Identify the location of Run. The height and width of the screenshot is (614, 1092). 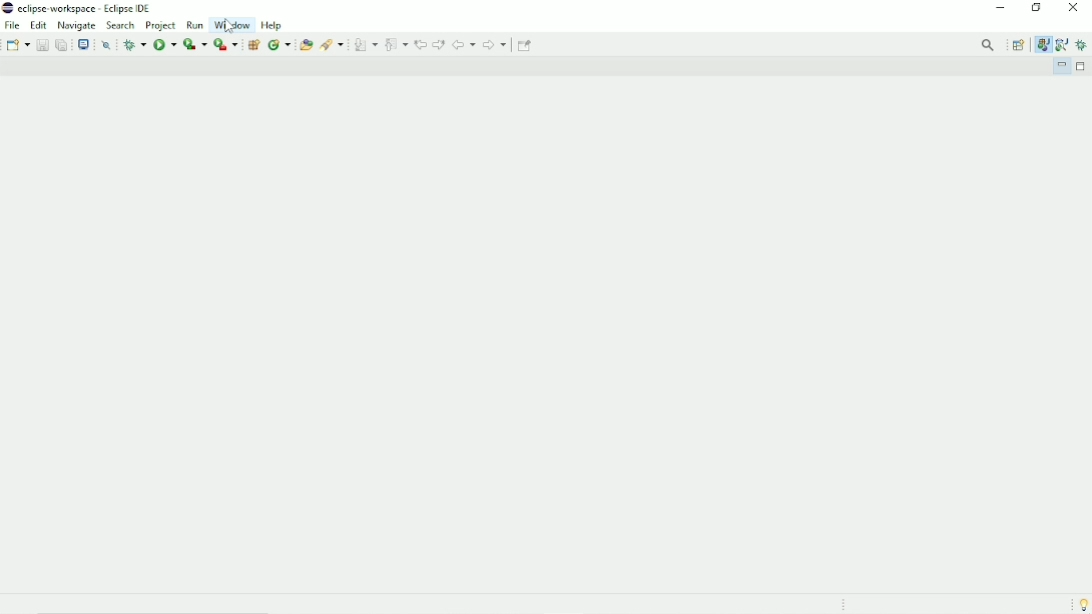
(194, 25).